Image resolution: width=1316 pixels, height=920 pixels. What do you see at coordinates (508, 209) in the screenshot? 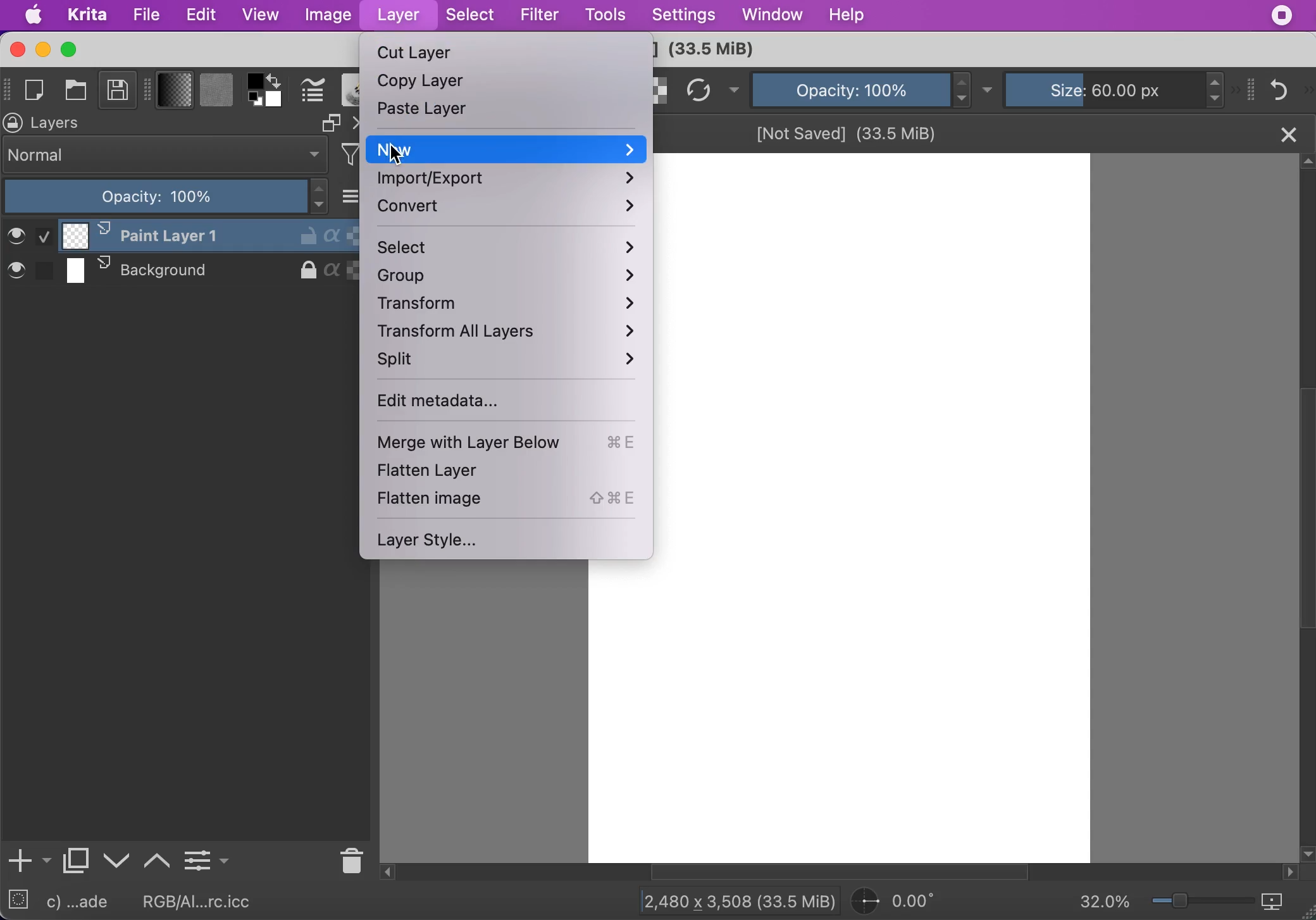
I see `convert` at bounding box center [508, 209].